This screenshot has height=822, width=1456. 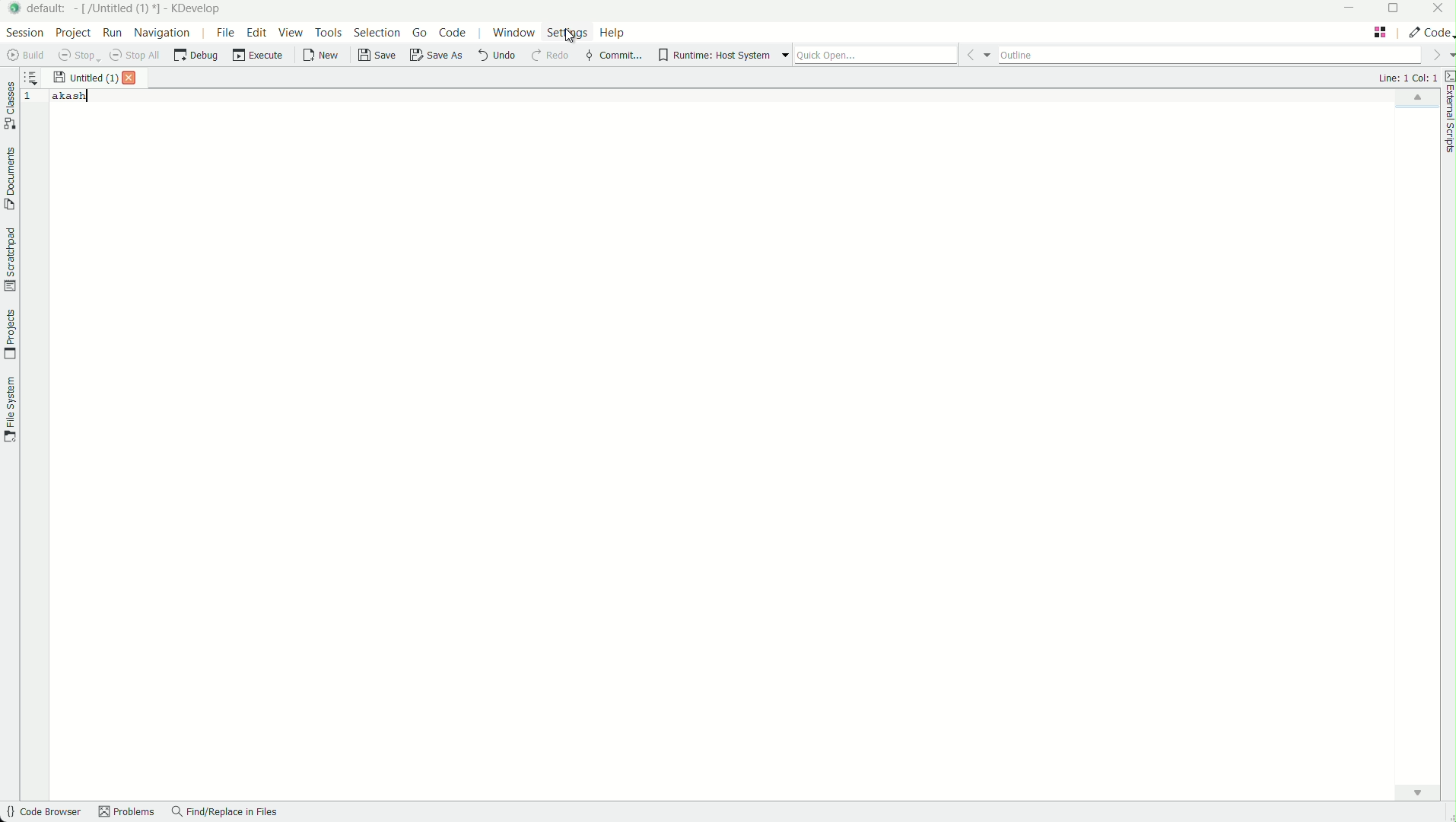 What do you see at coordinates (113, 33) in the screenshot?
I see `run menu` at bounding box center [113, 33].